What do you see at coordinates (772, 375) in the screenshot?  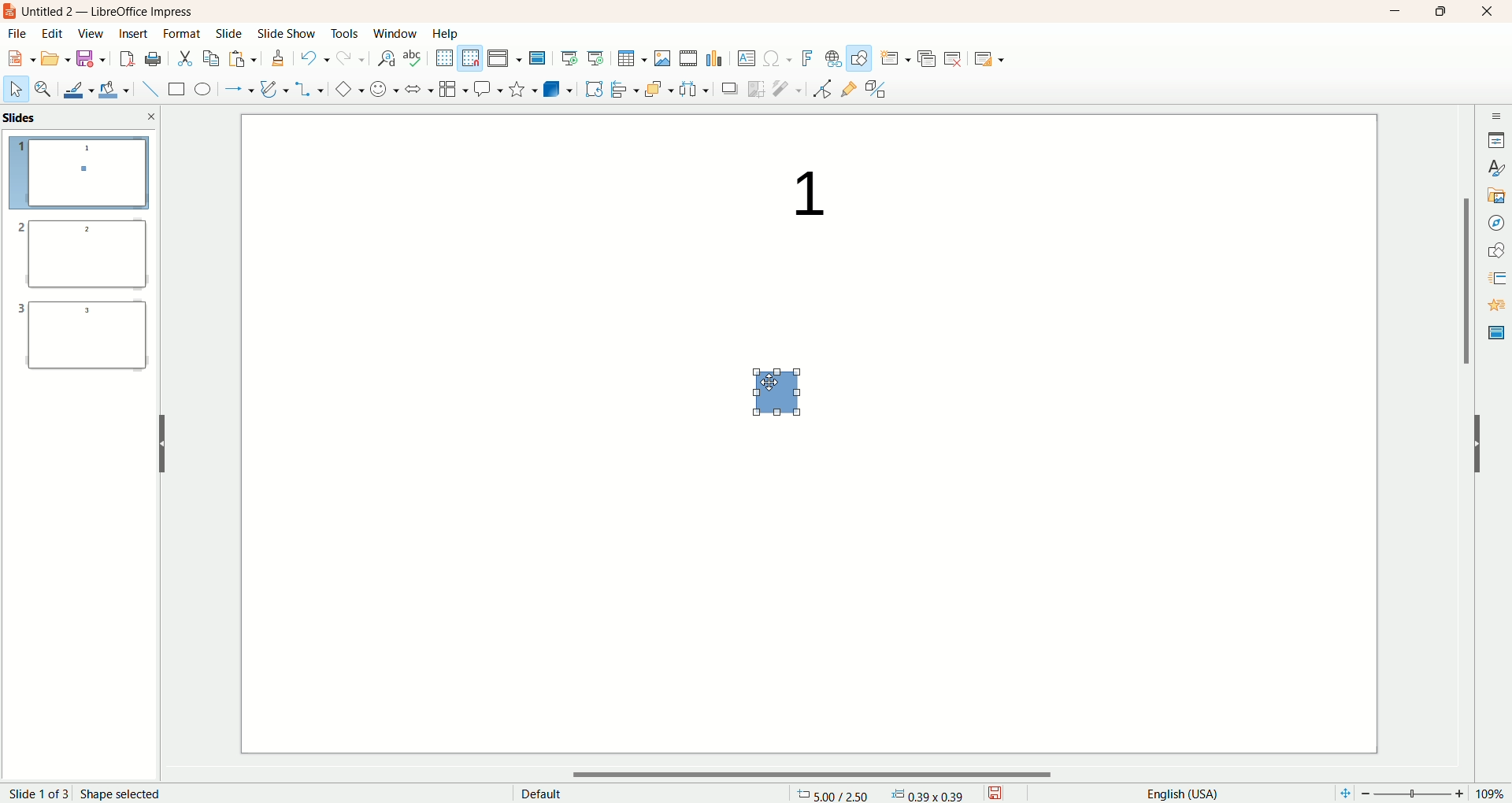 I see `cursor` at bounding box center [772, 375].